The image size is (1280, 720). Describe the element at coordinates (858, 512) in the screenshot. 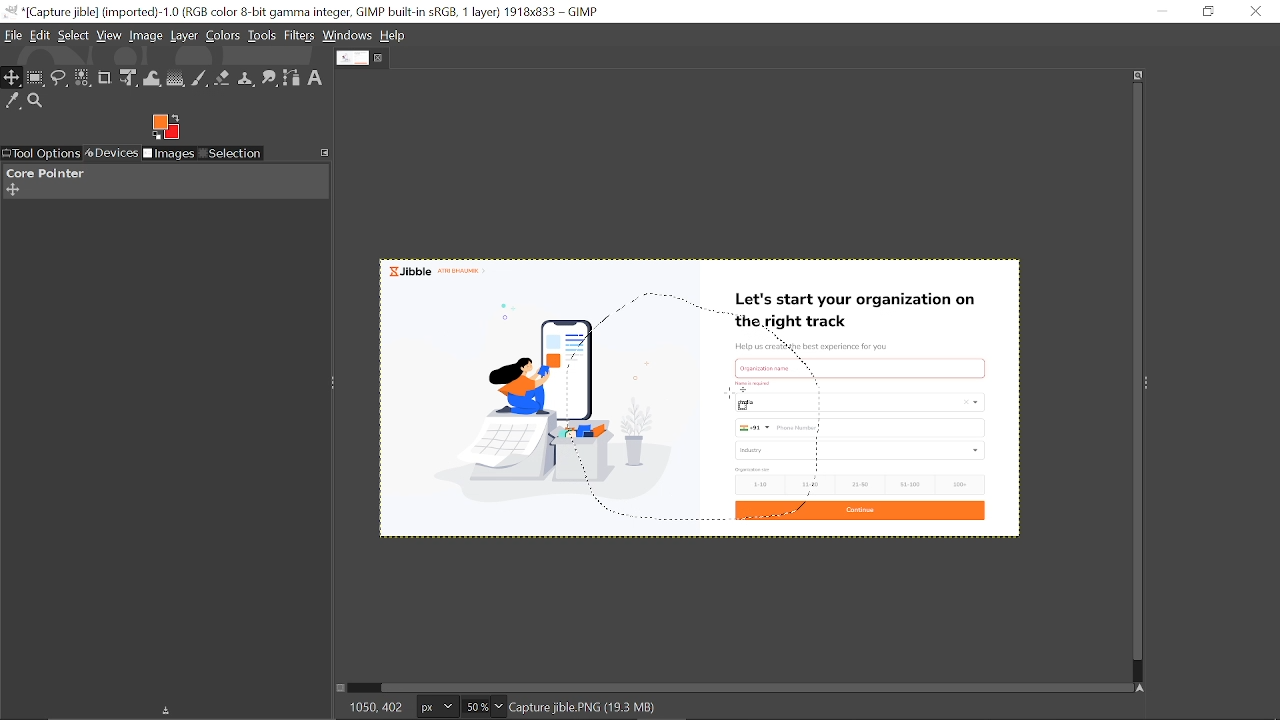

I see `Continue` at that location.